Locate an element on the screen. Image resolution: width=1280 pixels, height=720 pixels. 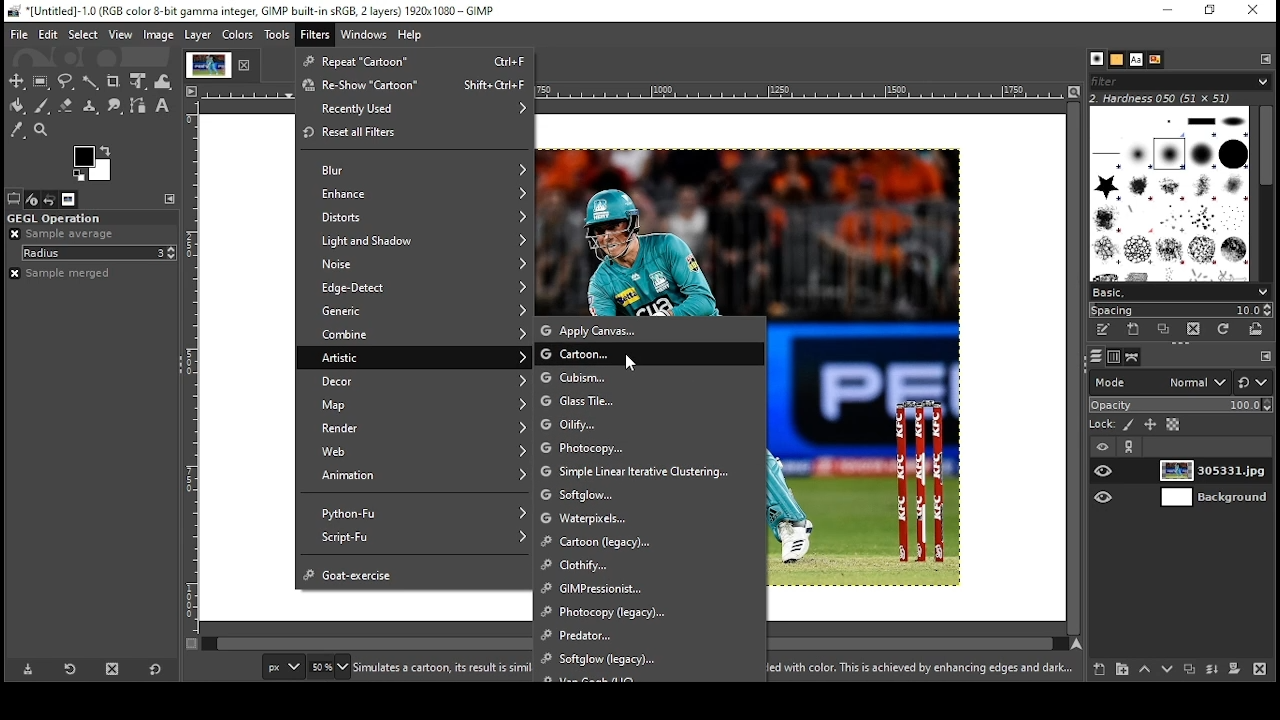
fuzzy selection  is located at coordinates (90, 82).